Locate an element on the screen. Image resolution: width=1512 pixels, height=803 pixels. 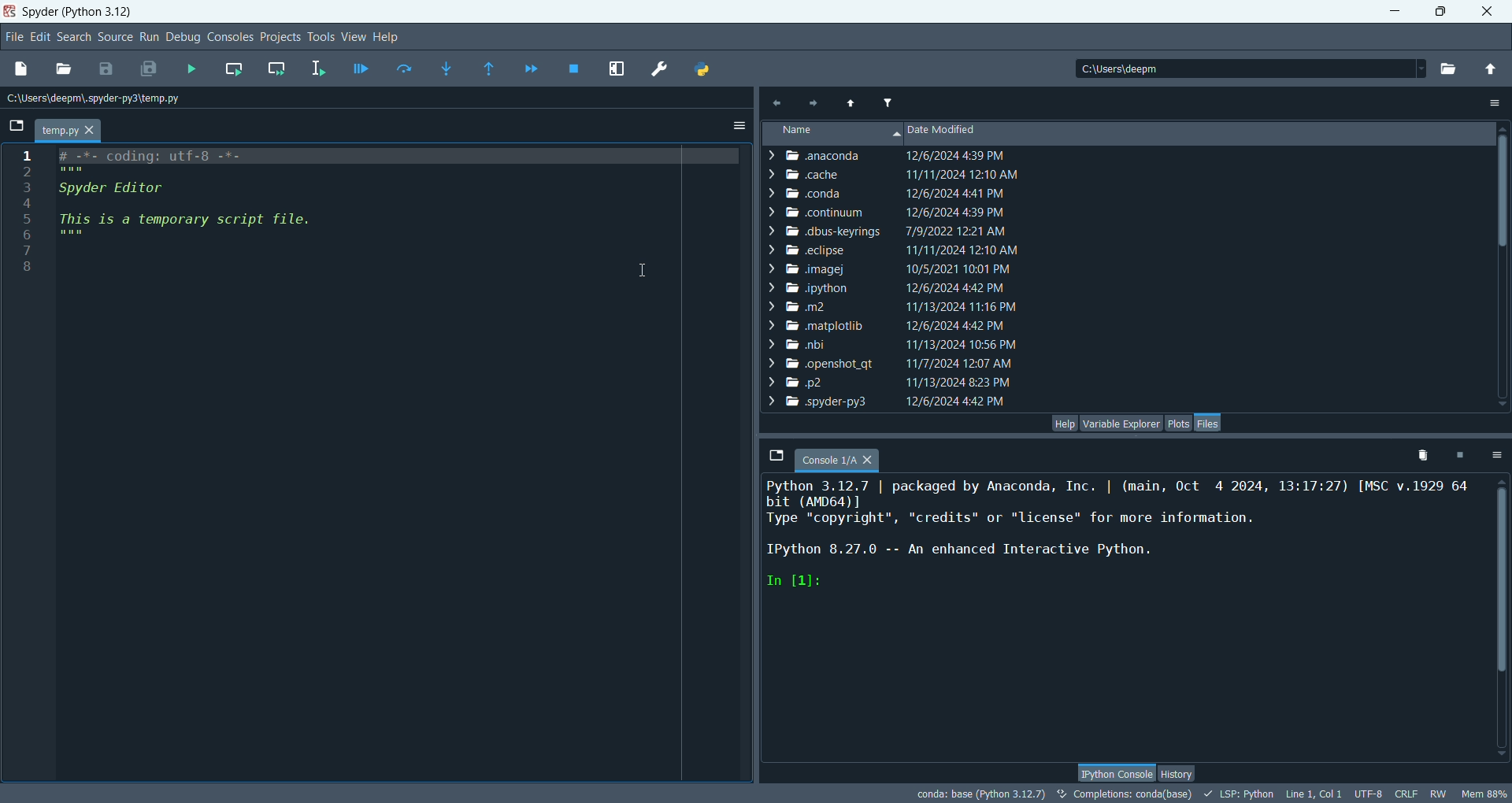
plots is located at coordinates (1177, 420).